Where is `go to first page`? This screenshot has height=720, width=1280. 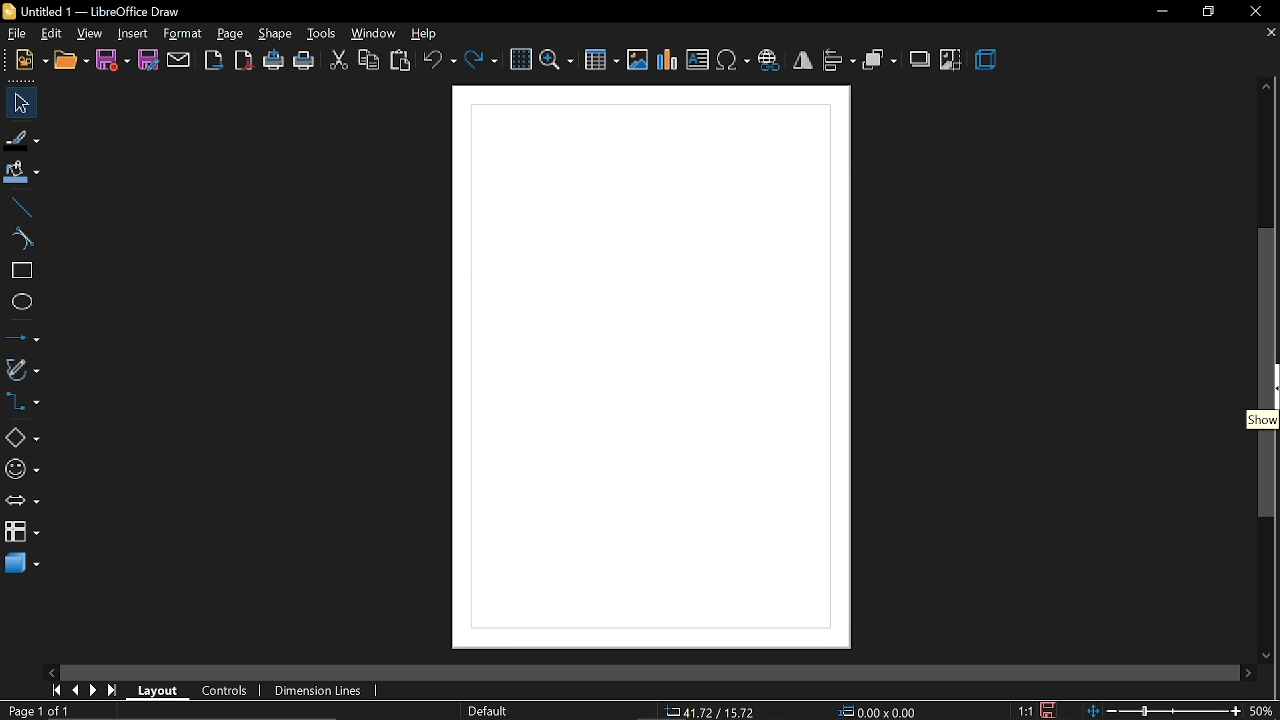 go to first page is located at coordinates (54, 690).